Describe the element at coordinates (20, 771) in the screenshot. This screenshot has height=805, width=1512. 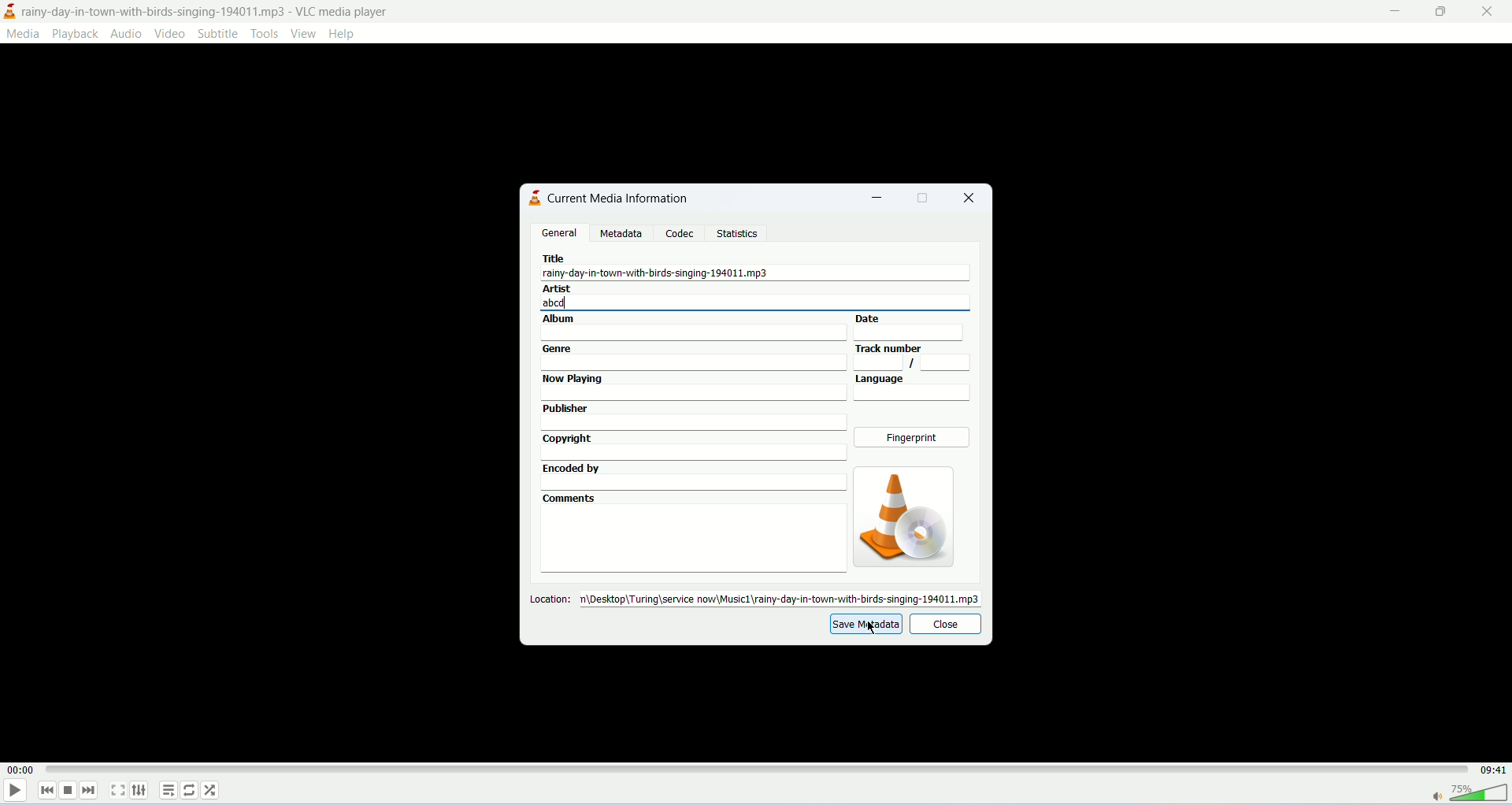
I see `played time` at that location.